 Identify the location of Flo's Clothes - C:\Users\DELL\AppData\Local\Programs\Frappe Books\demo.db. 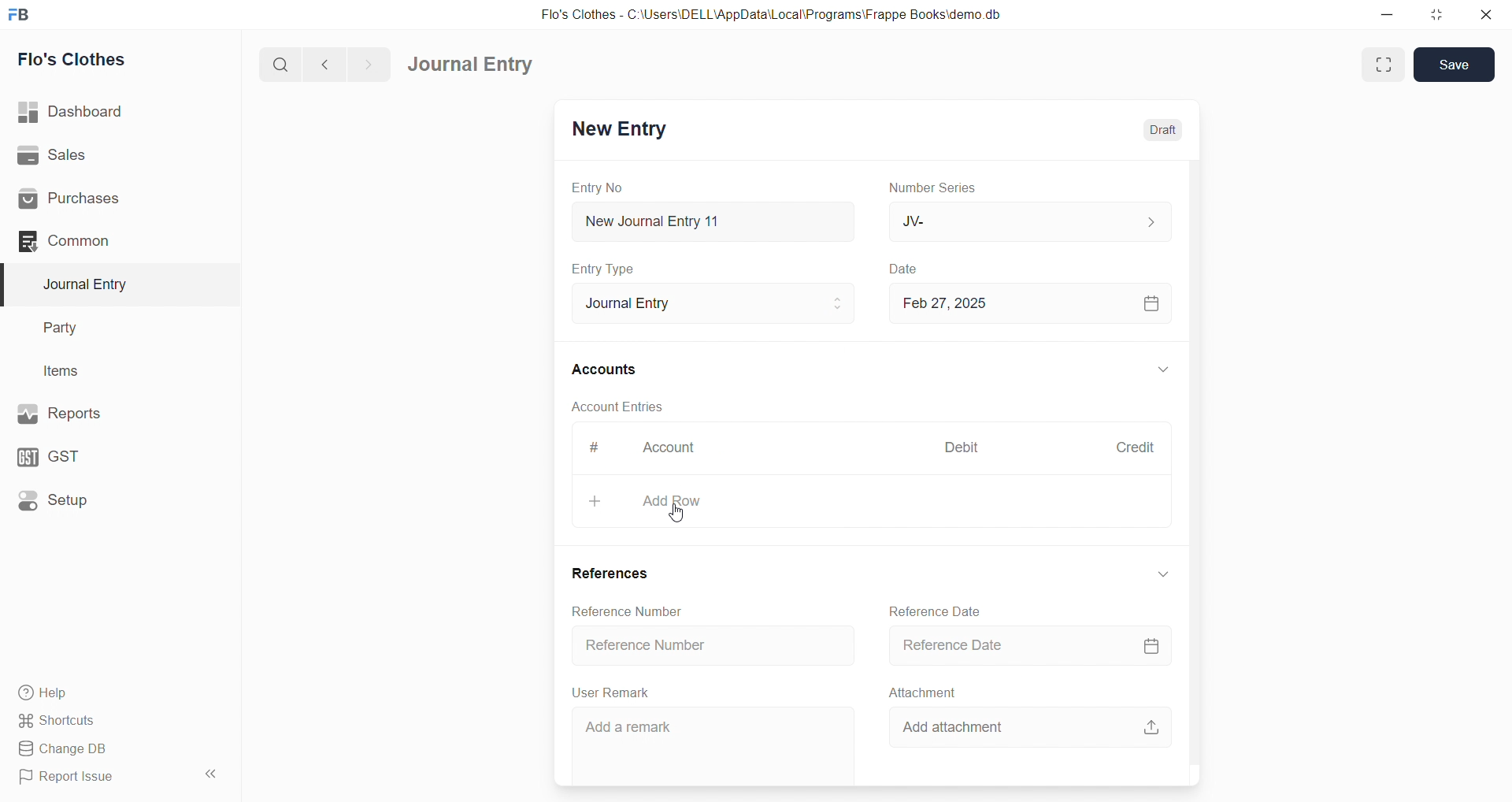
(771, 13).